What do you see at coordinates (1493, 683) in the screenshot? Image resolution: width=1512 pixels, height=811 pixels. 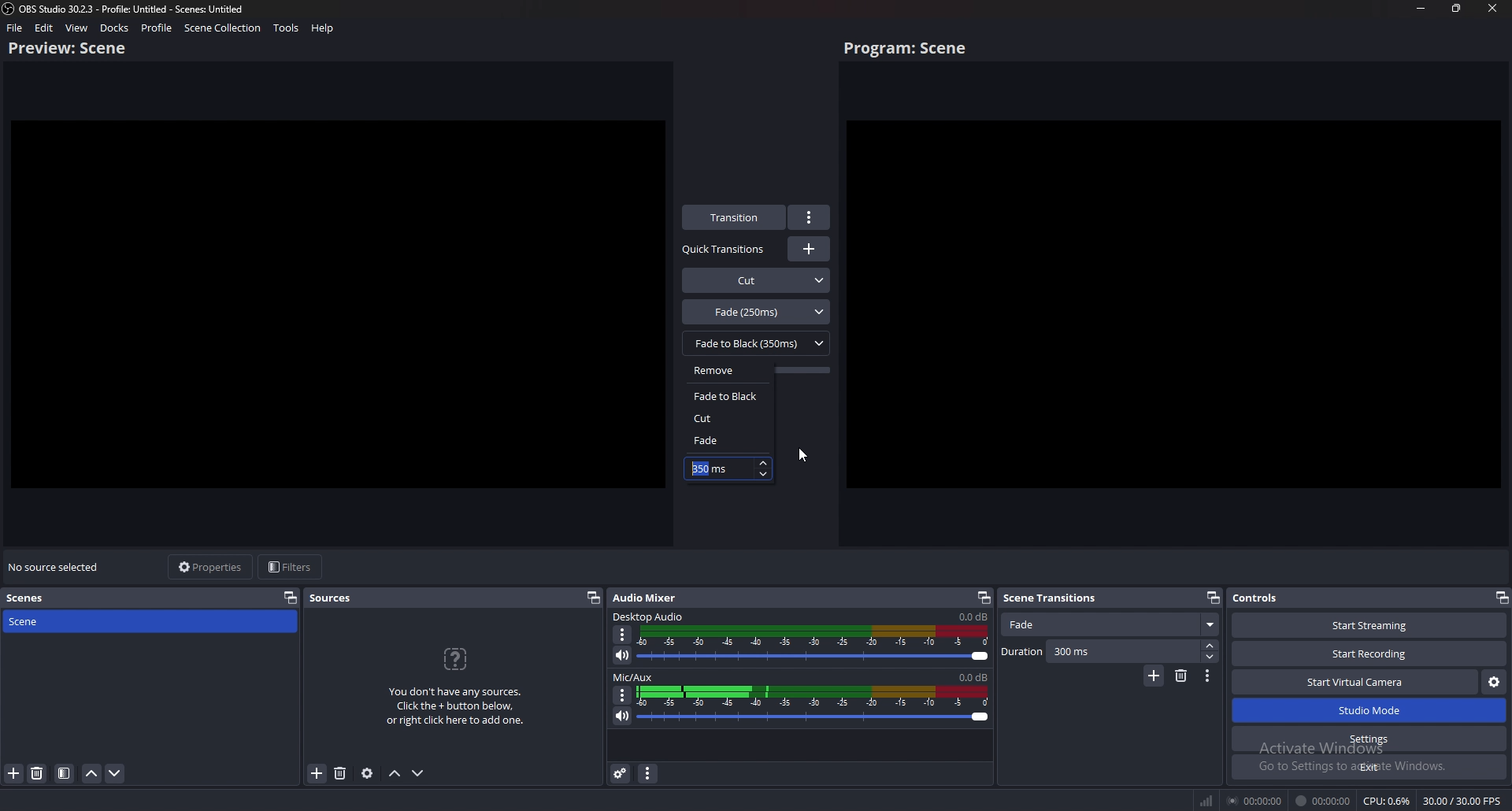 I see `Configure virtual camera` at bounding box center [1493, 683].